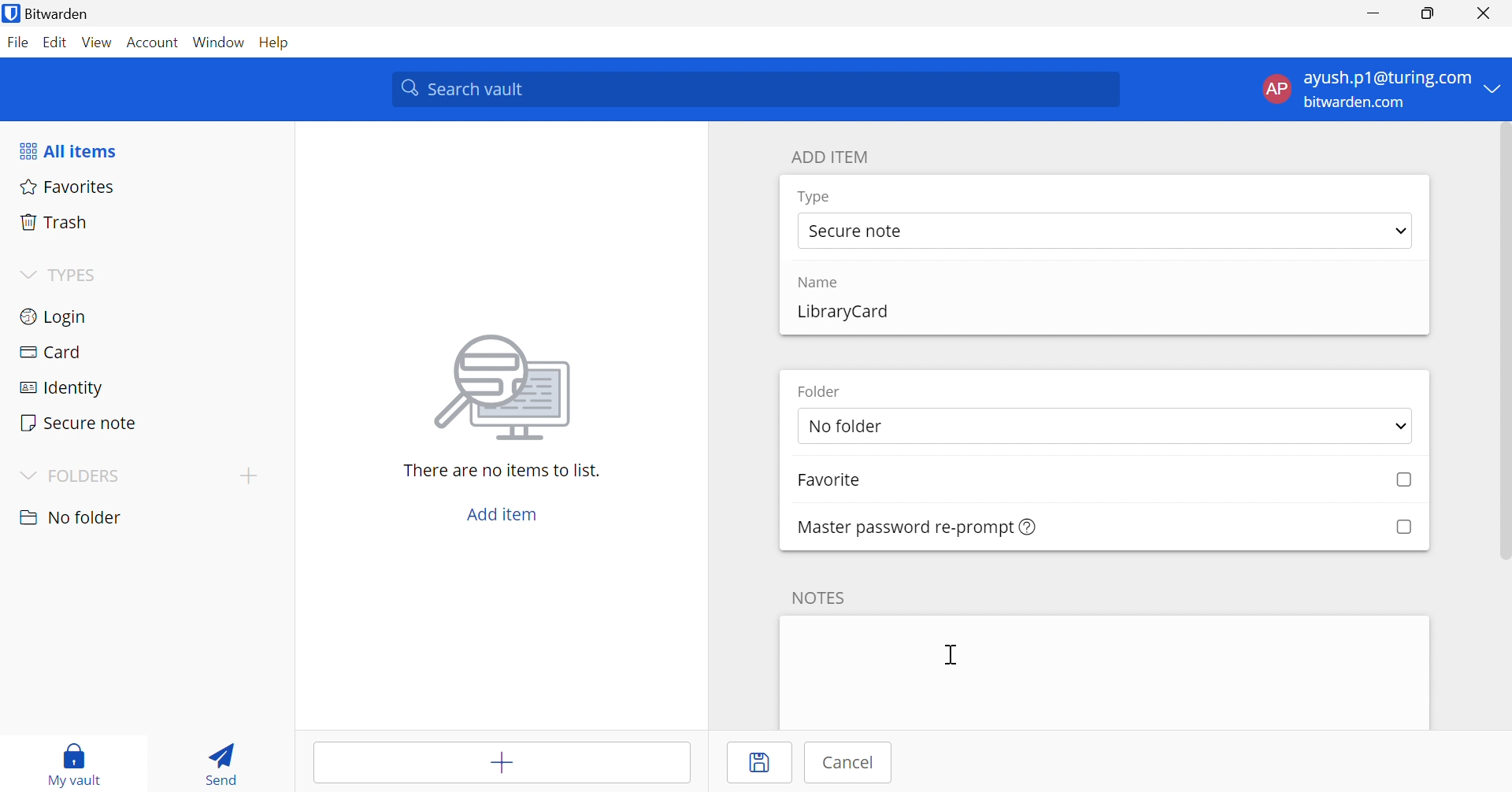 Image resolution: width=1512 pixels, height=792 pixels. What do you see at coordinates (76, 764) in the screenshot?
I see `My vault` at bounding box center [76, 764].